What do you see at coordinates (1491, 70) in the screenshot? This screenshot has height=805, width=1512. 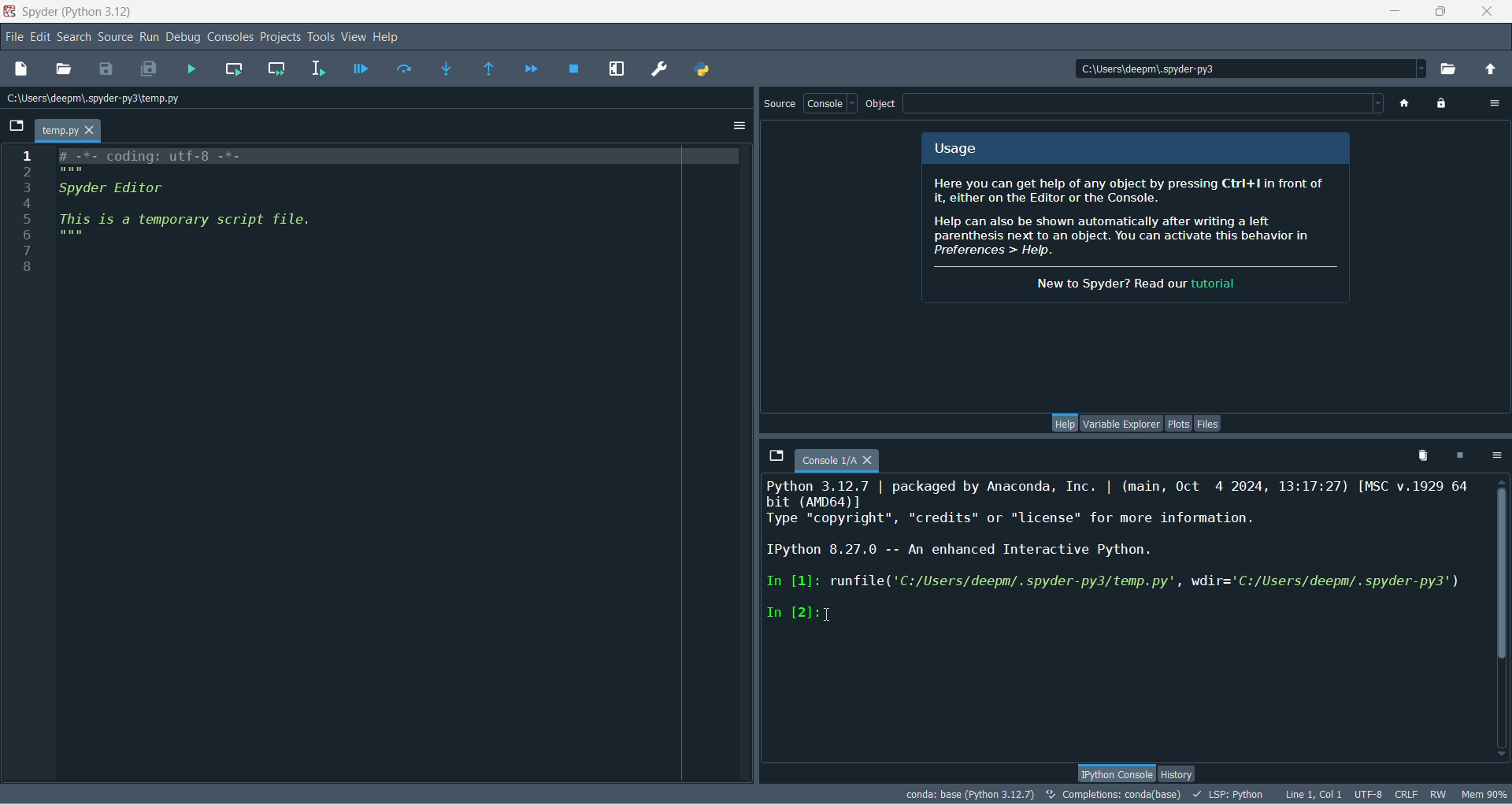 I see `change to parent directory` at bounding box center [1491, 70].